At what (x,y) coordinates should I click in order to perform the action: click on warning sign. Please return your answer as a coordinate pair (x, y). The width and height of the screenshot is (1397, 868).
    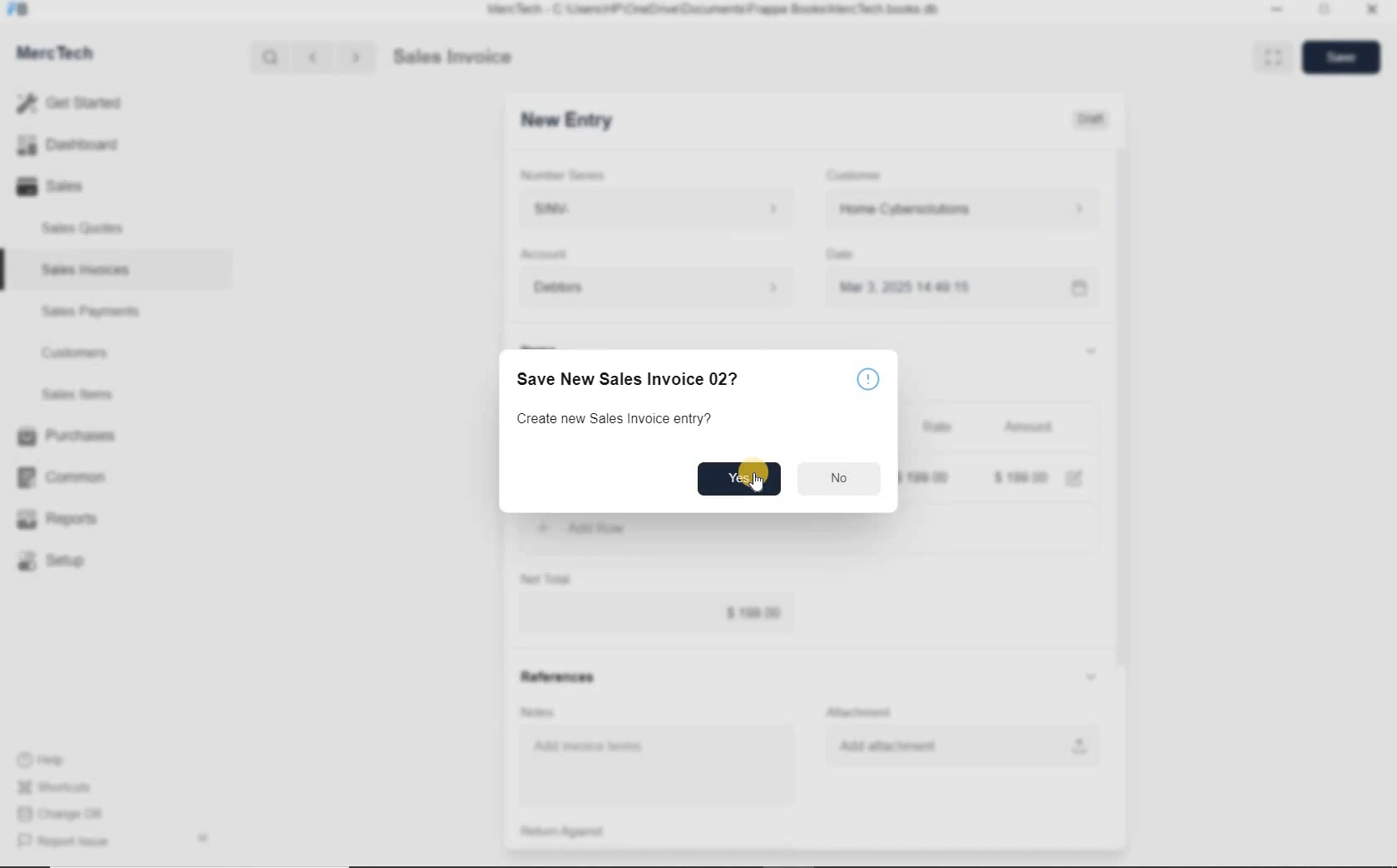
    Looking at the image, I should click on (868, 379).